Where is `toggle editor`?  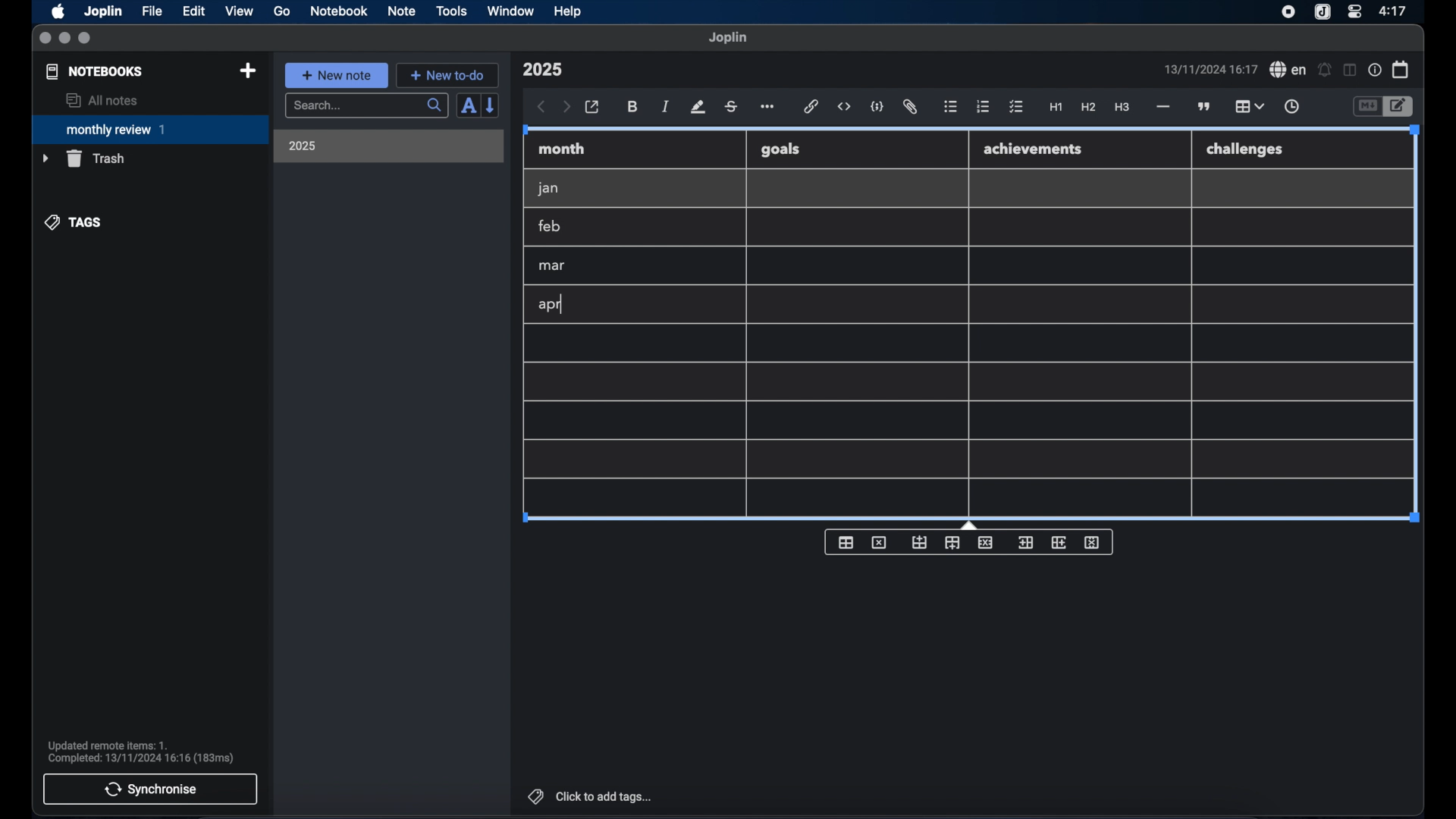 toggle editor is located at coordinates (1367, 107).